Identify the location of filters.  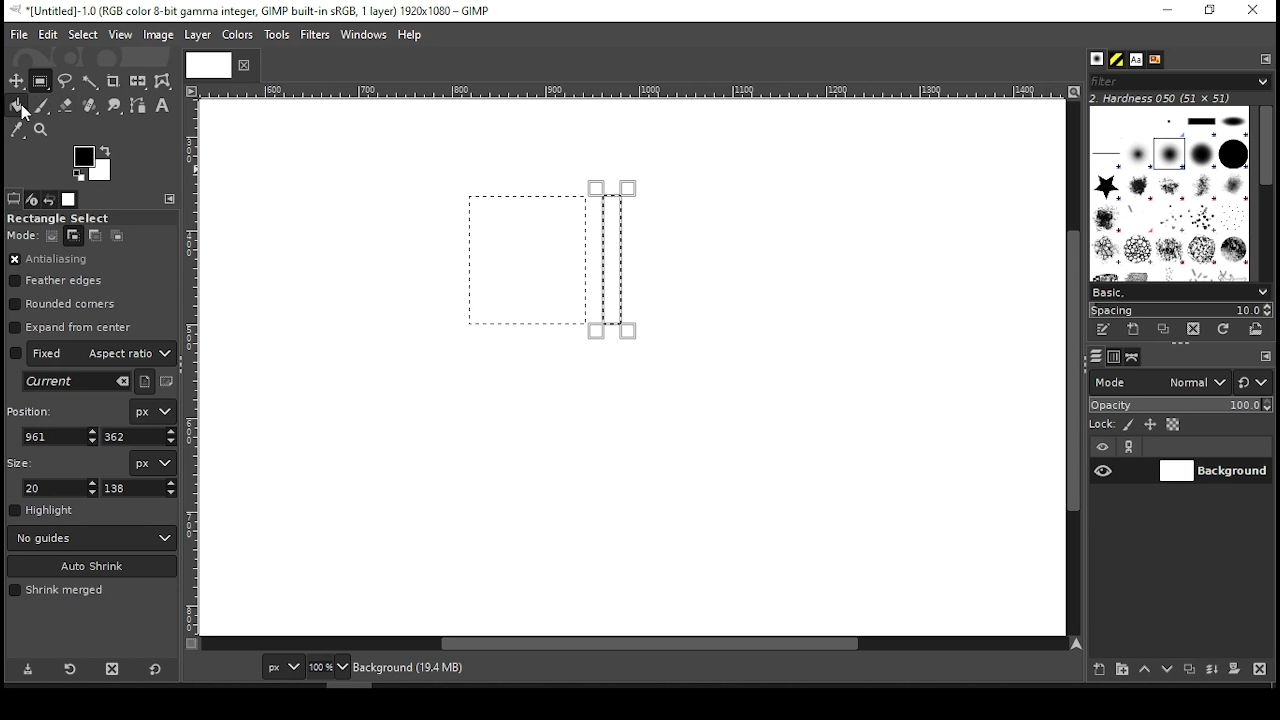
(318, 35).